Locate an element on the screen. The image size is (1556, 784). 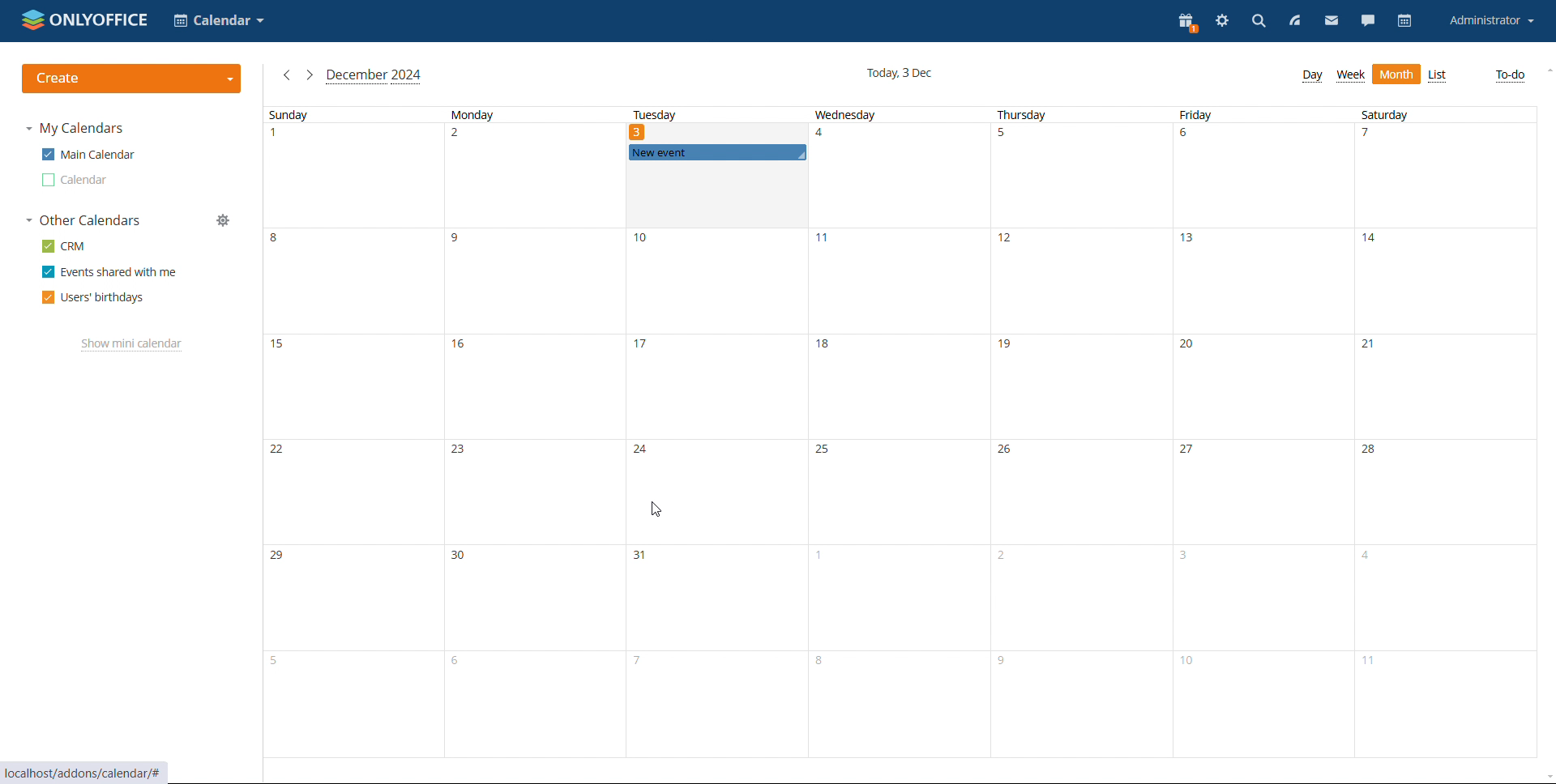
date is located at coordinates (1448, 597).